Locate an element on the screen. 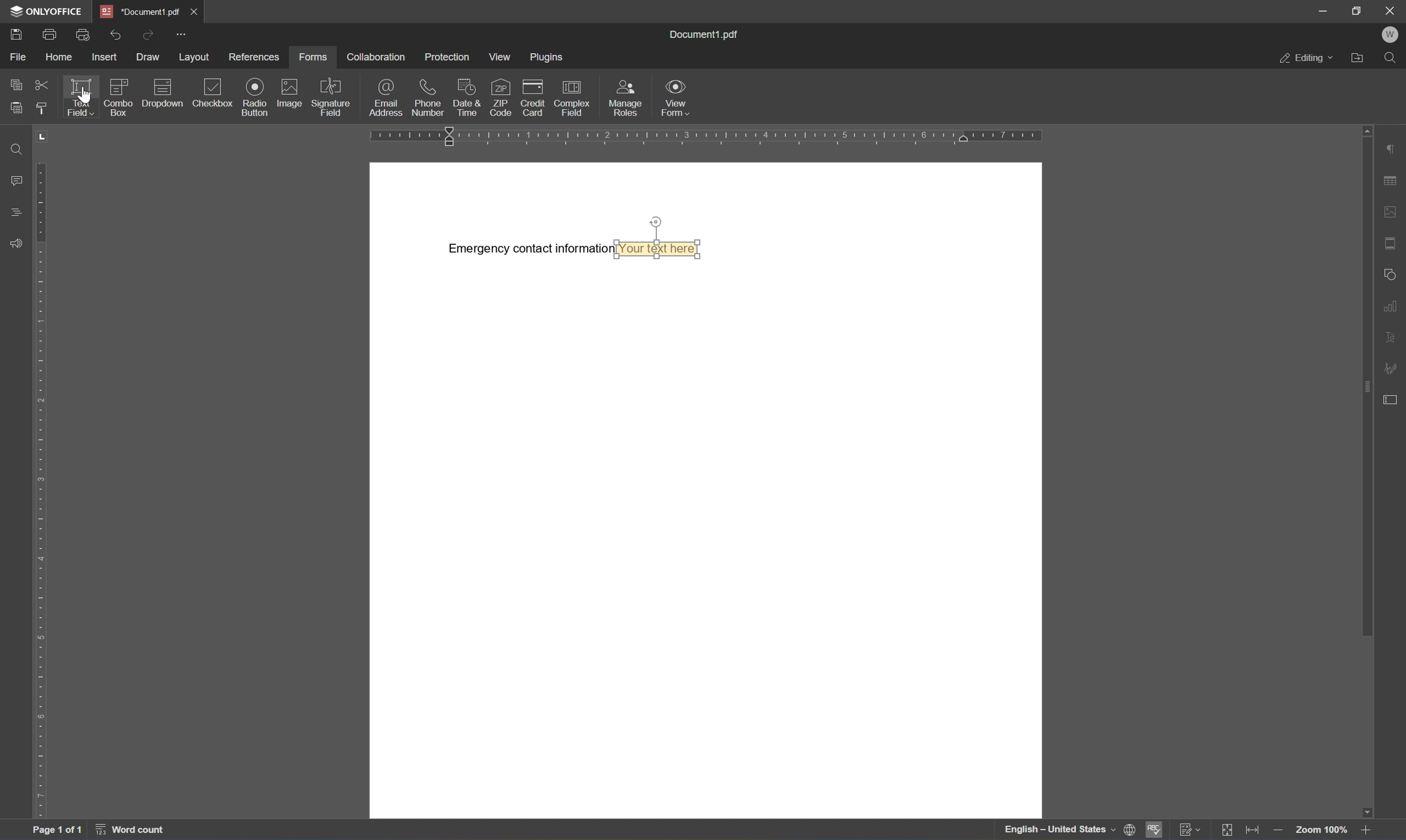 The height and width of the screenshot is (840, 1406). scroll up is located at coordinates (1367, 128).